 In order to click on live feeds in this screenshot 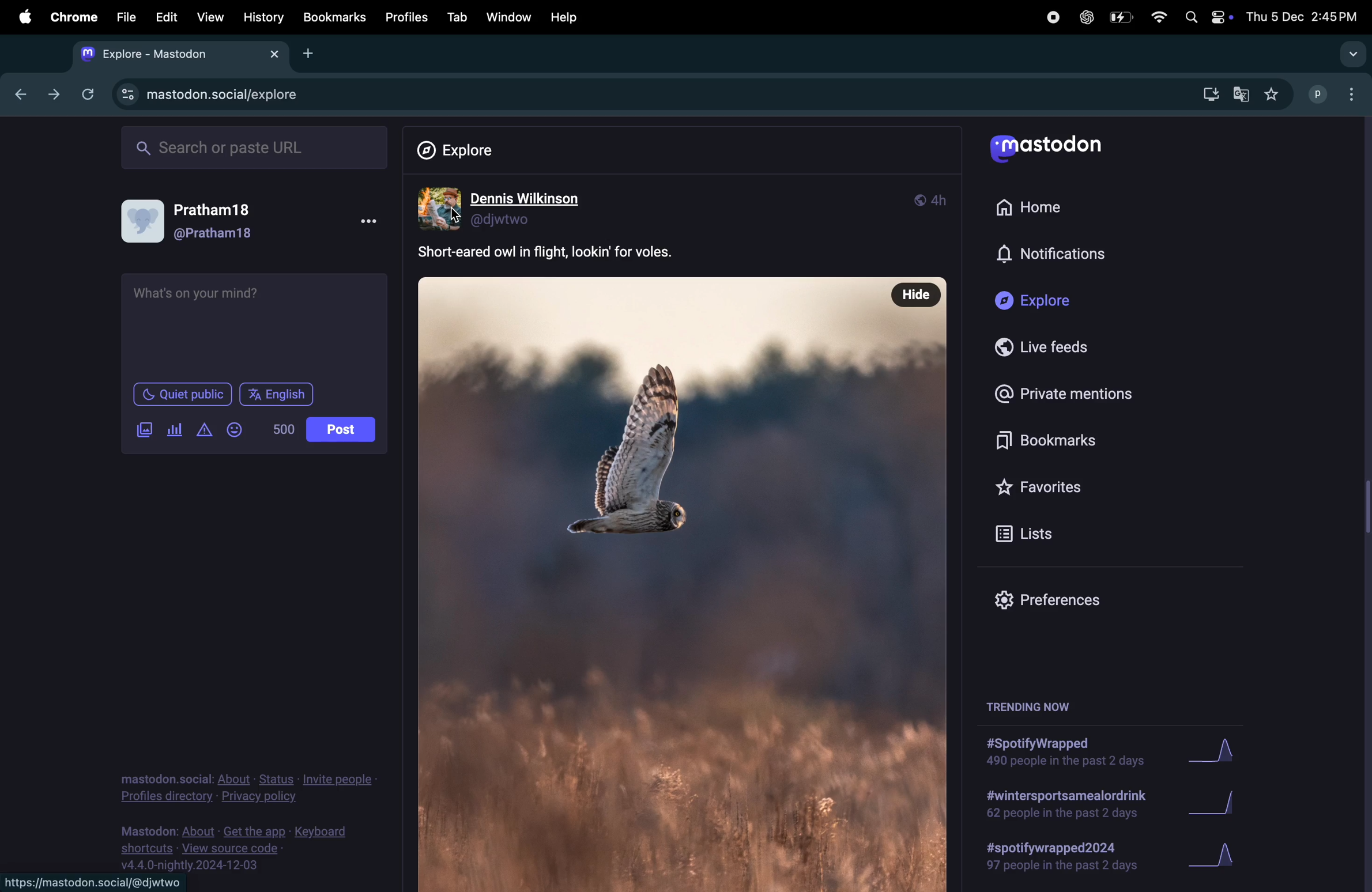, I will do `click(1049, 347)`.